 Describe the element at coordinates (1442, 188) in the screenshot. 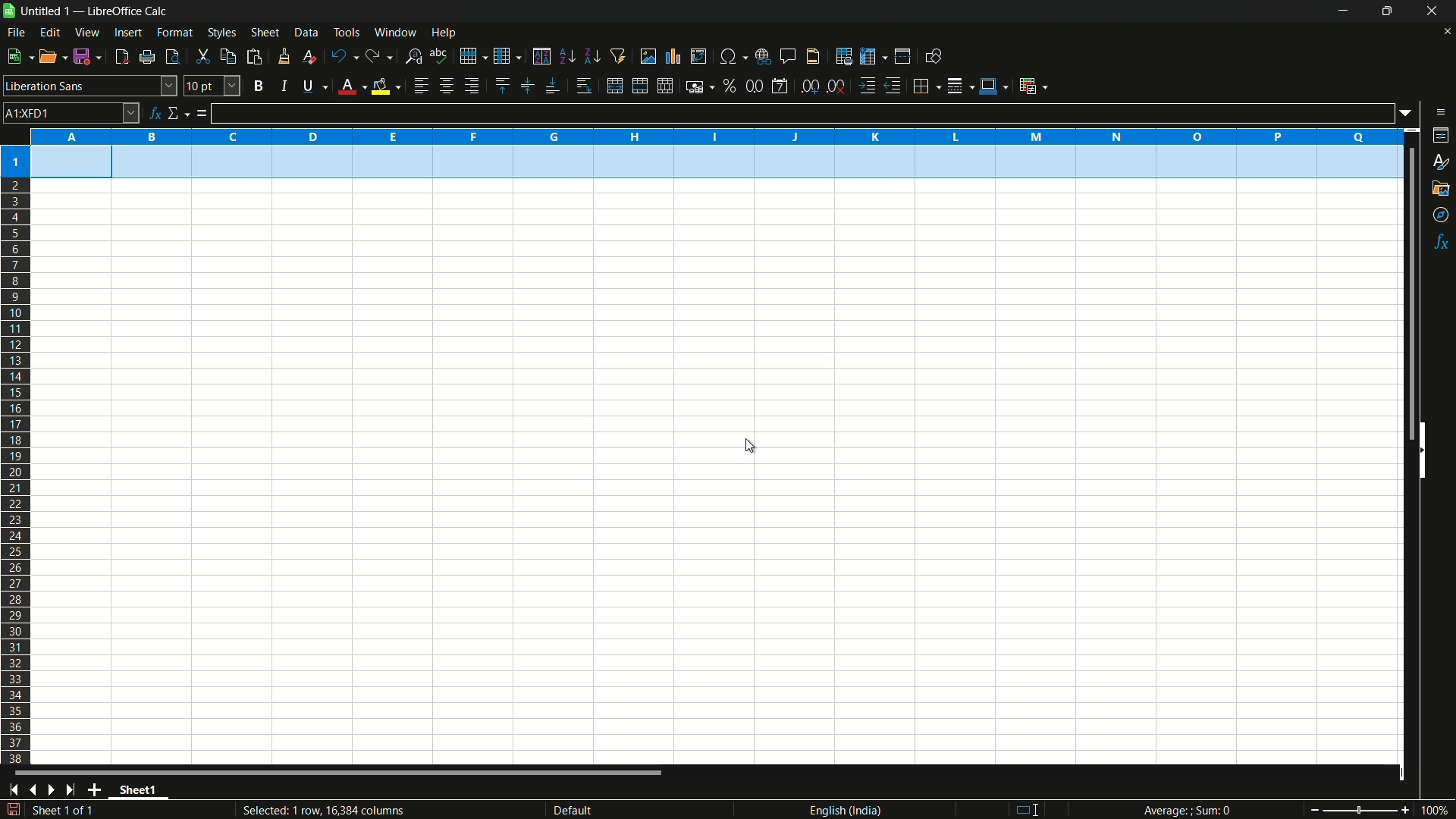

I see `gallery` at that location.